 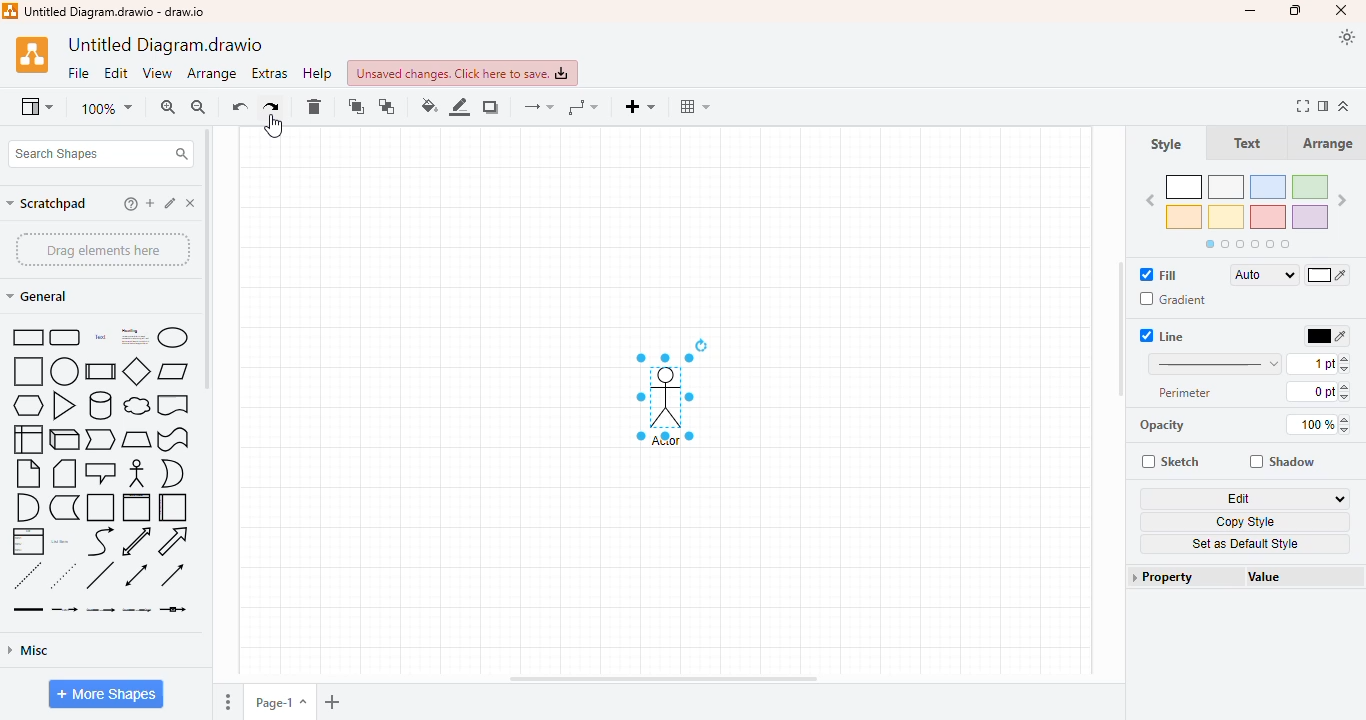 What do you see at coordinates (28, 575) in the screenshot?
I see `dashed line` at bounding box center [28, 575].